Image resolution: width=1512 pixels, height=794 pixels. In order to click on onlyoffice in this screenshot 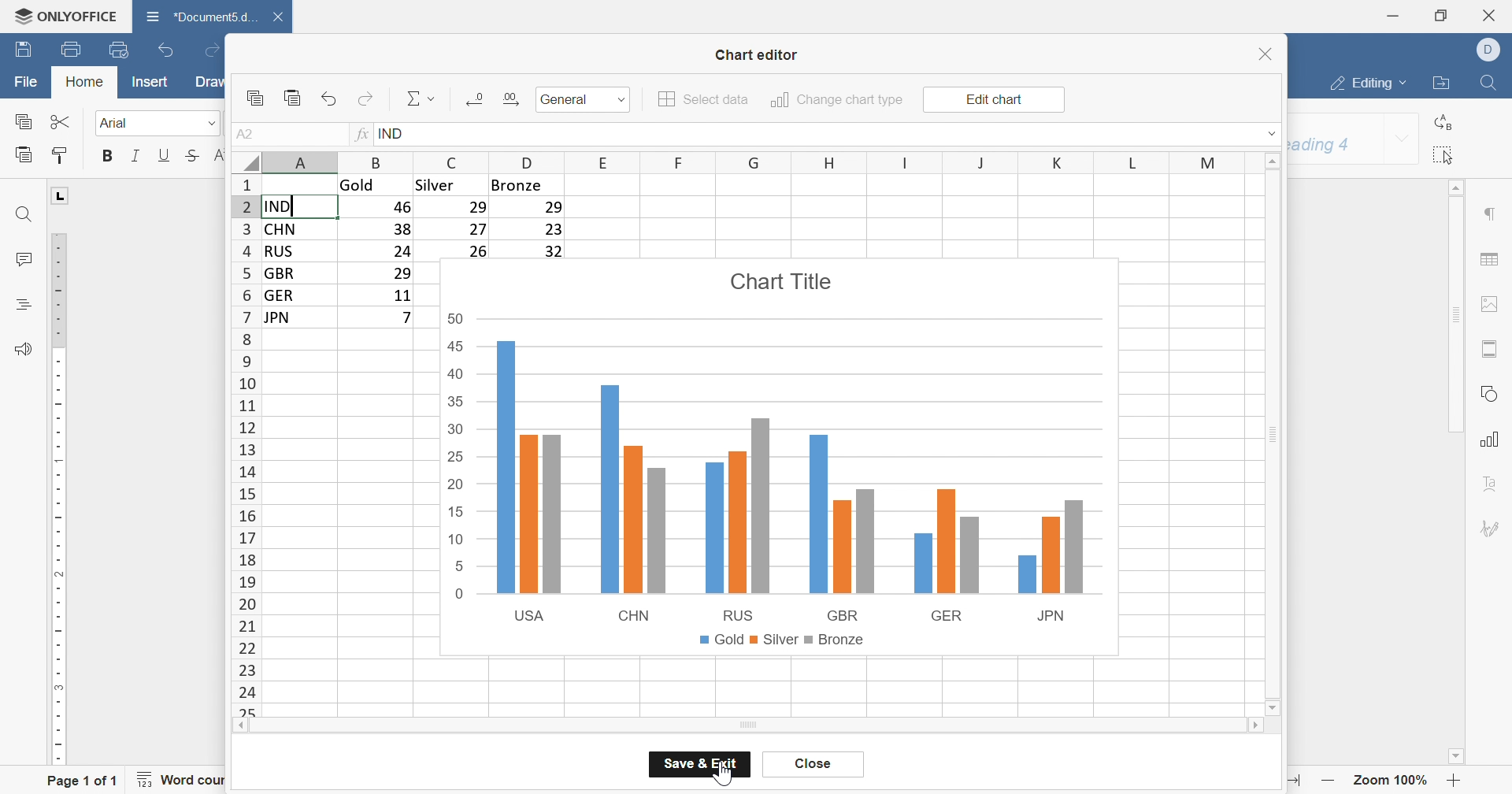, I will do `click(66, 16)`.